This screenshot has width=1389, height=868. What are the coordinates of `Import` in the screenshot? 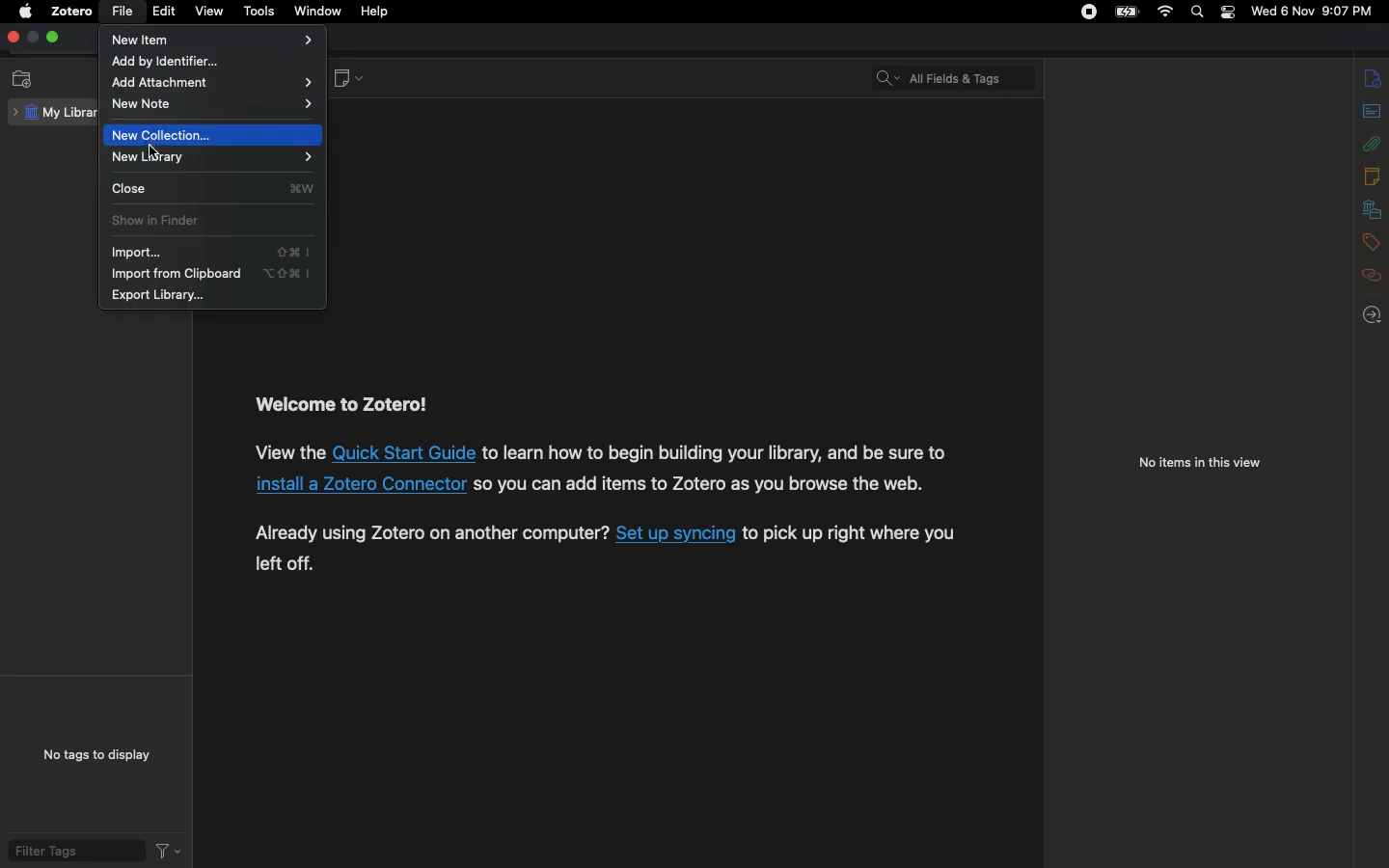 It's located at (207, 253).